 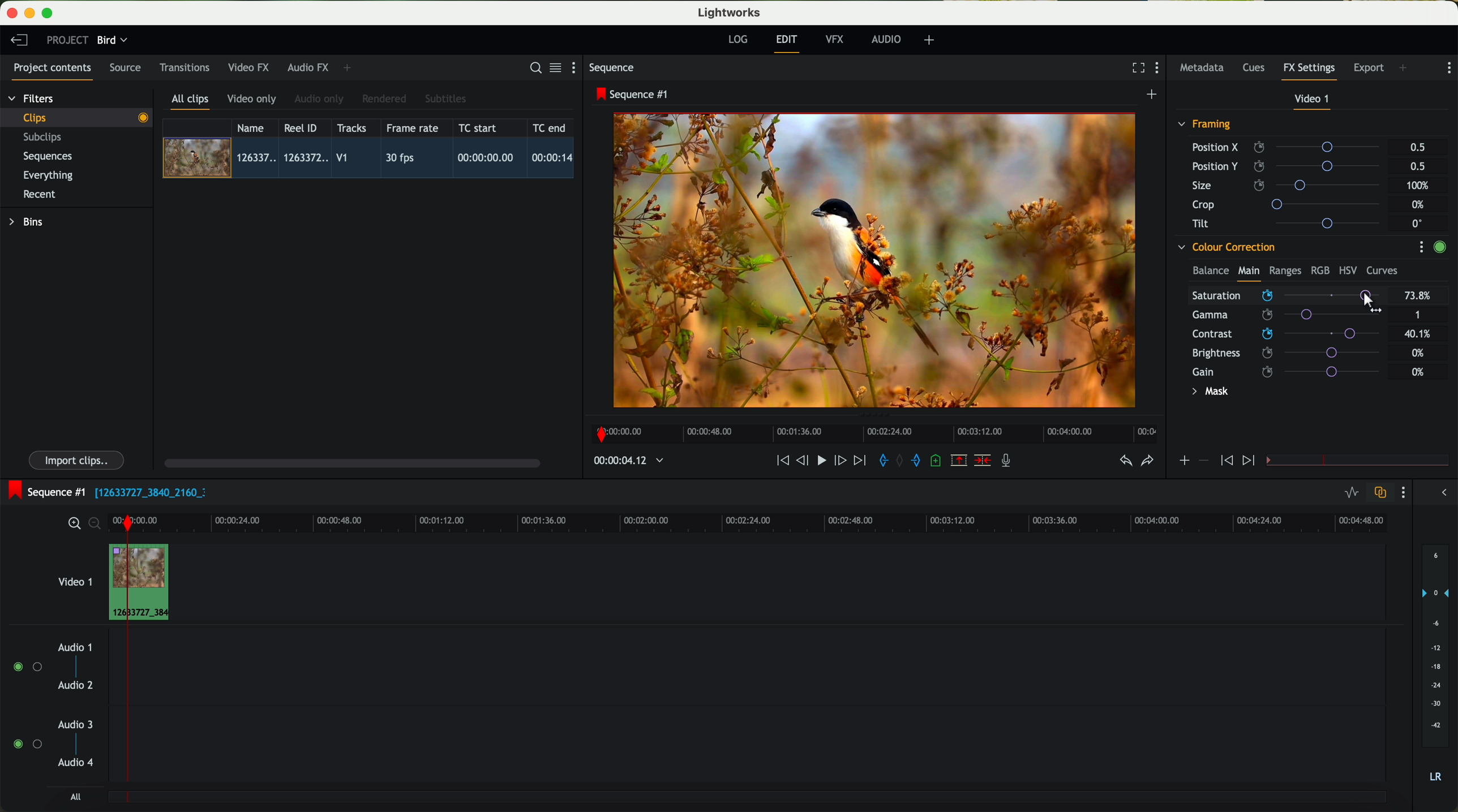 What do you see at coordinates (837, 40) in the screenshot?
I see `VFX` at bounding box center [837, 40].